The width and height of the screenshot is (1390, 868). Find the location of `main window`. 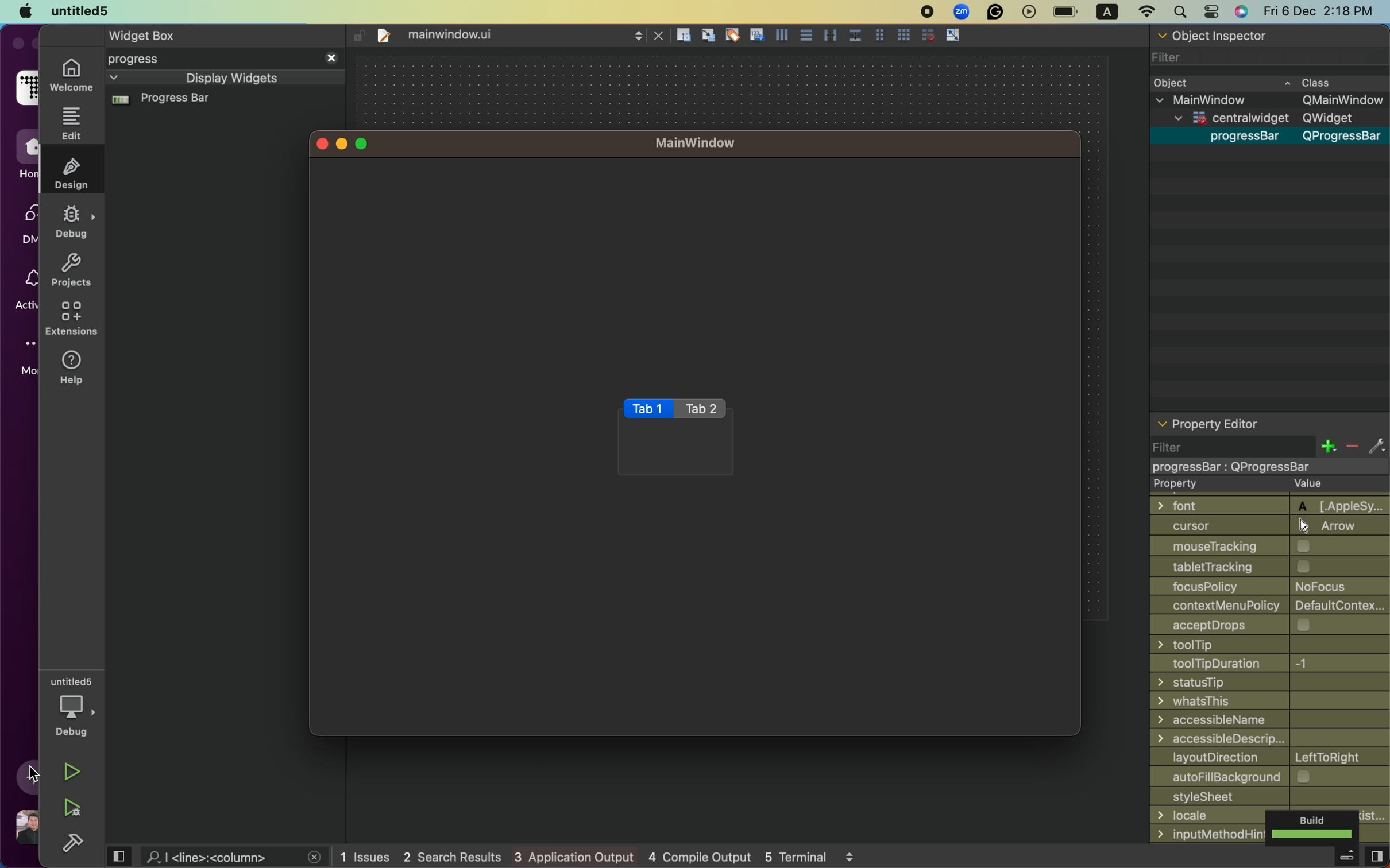

main window is located at coordinates (1268, 99).